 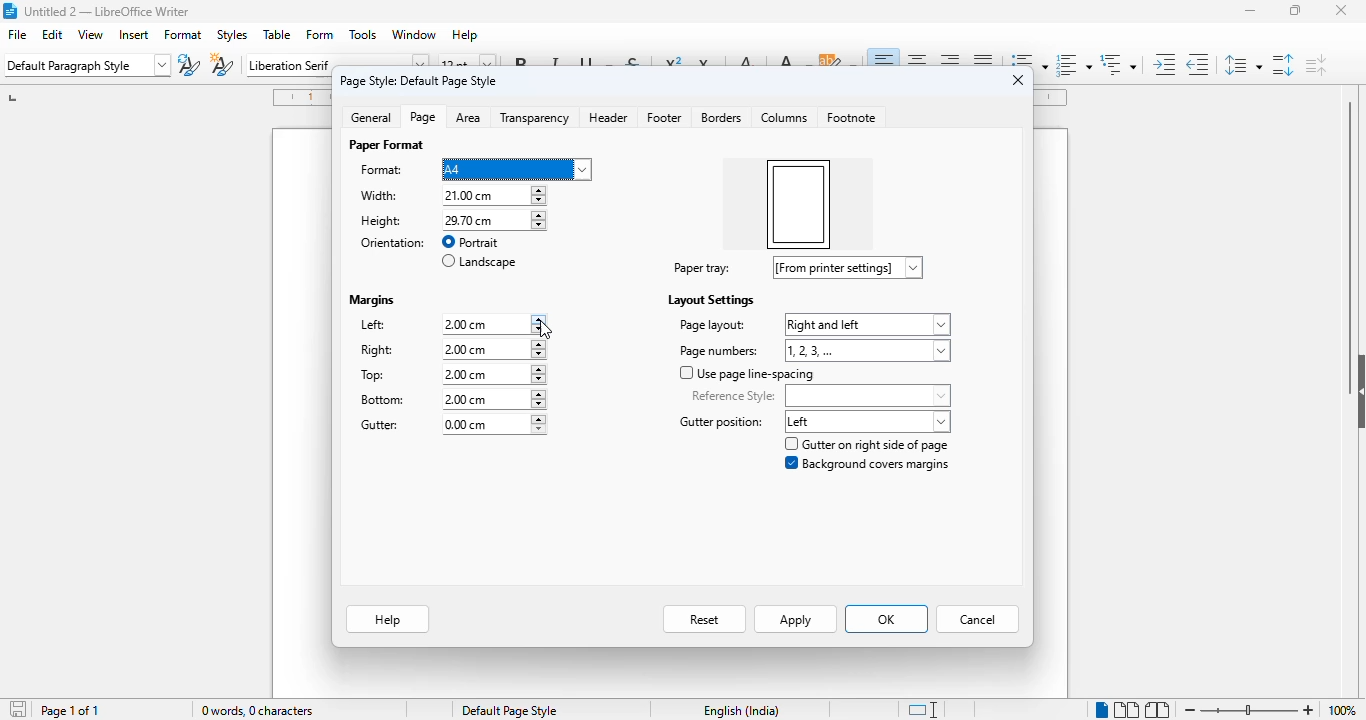 What do you see at coordinates (840, 268) in the screenshot?
I see `paper tray options` at bounding box center [840, 268].